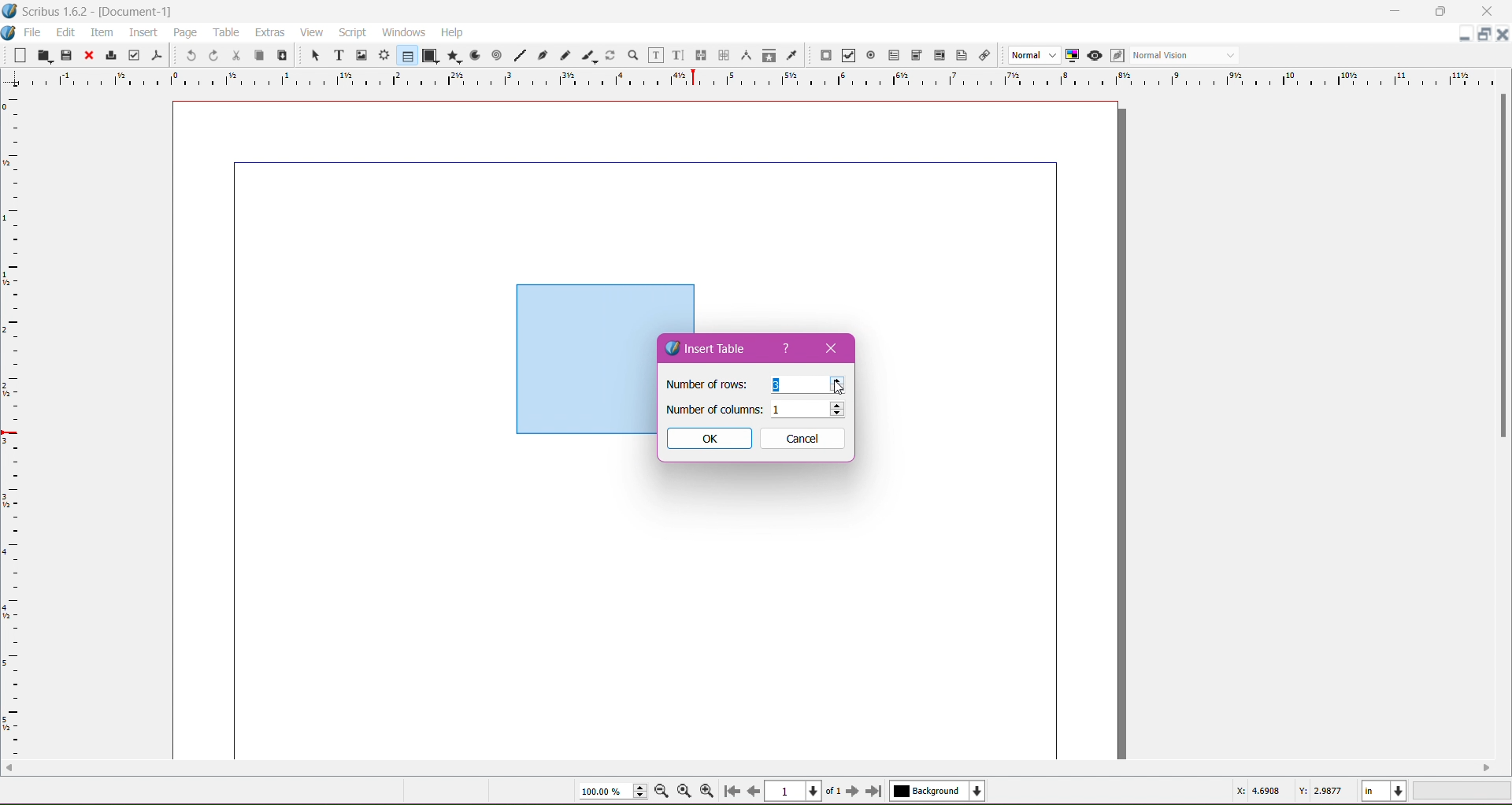  Describe the element at coordinates (678, 55) in the screenshot. I see `Edit Text with Story` at that location.